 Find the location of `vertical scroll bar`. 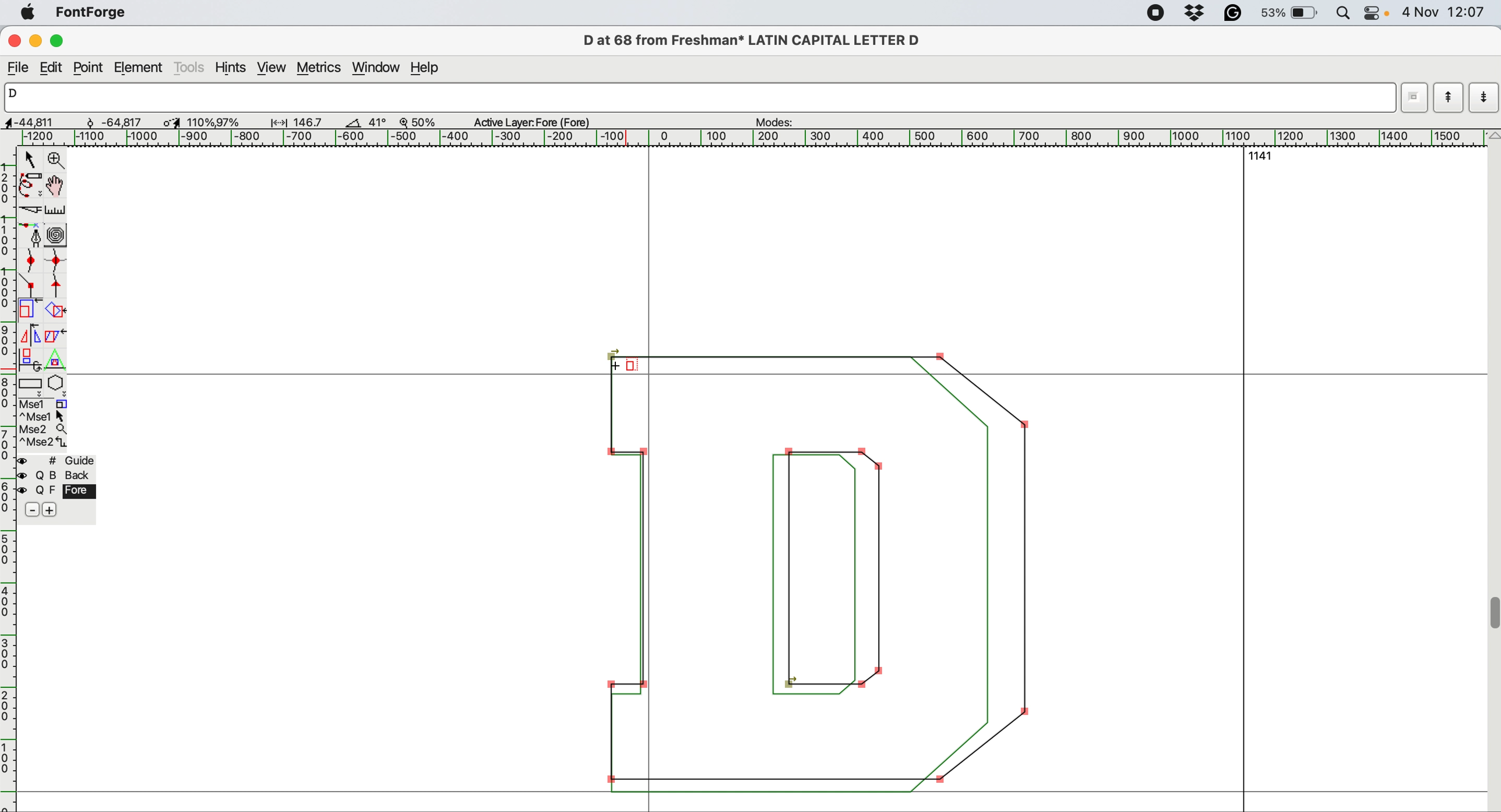

vertical scroll bar is located at coordinates (1492, 470).